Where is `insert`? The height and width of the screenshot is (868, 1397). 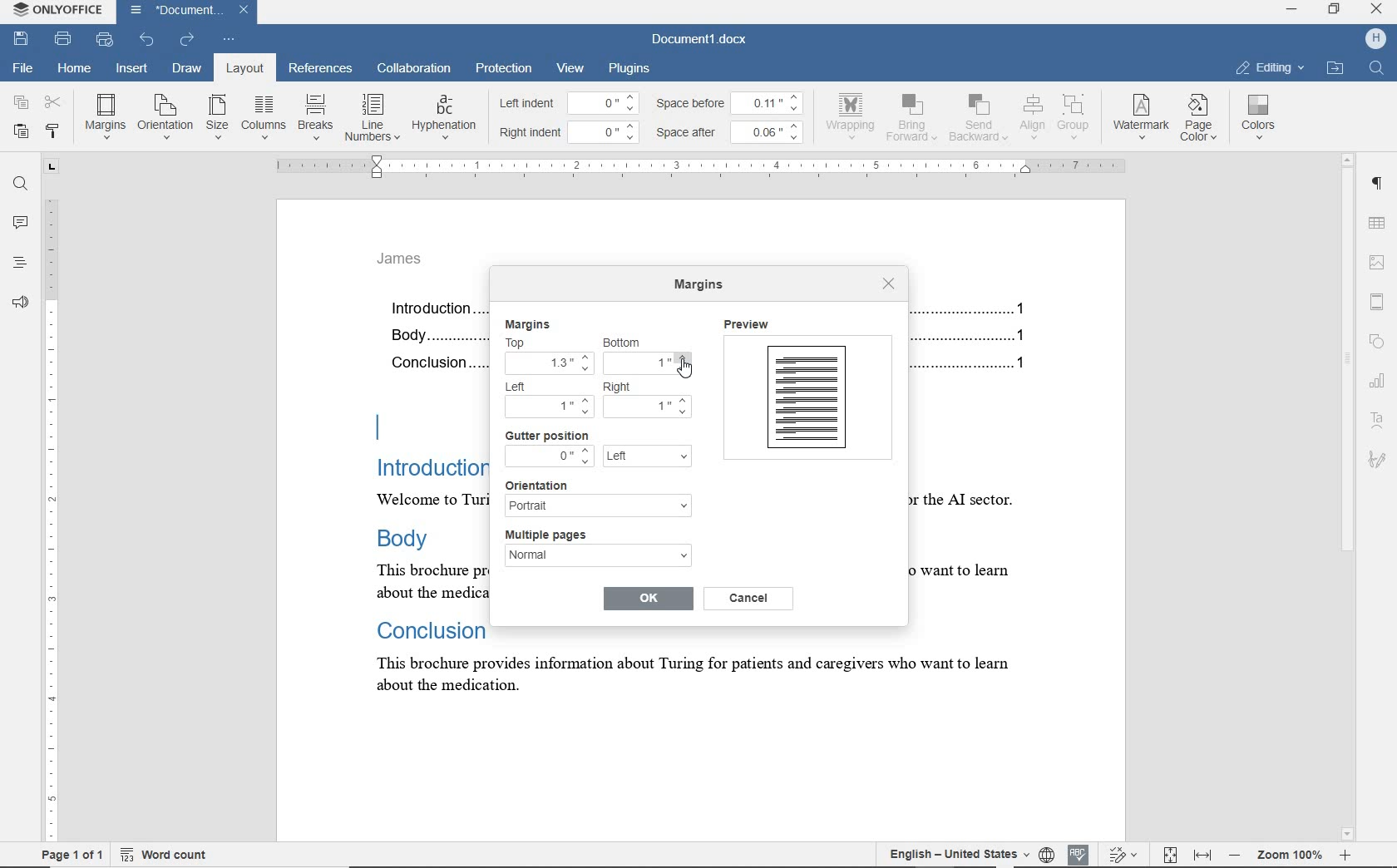 insert is located at coordinates (134, 69).